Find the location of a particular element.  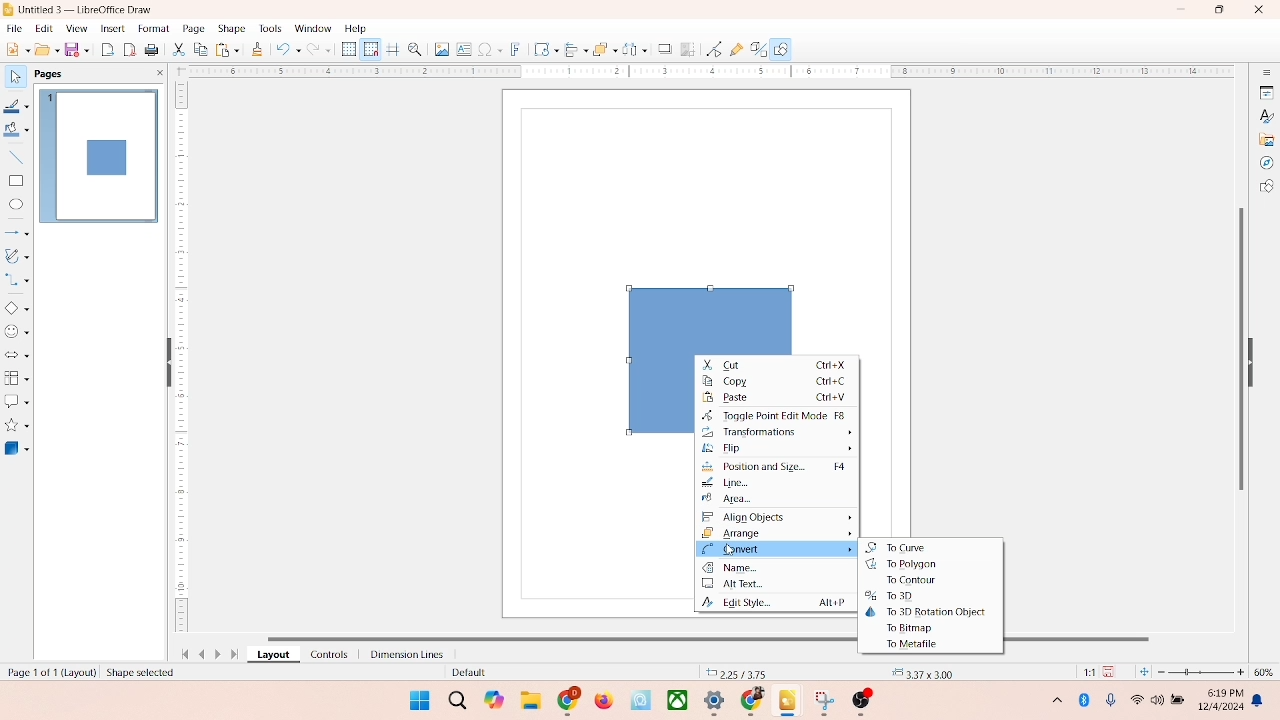

special character is located at coordinates (490, 49).